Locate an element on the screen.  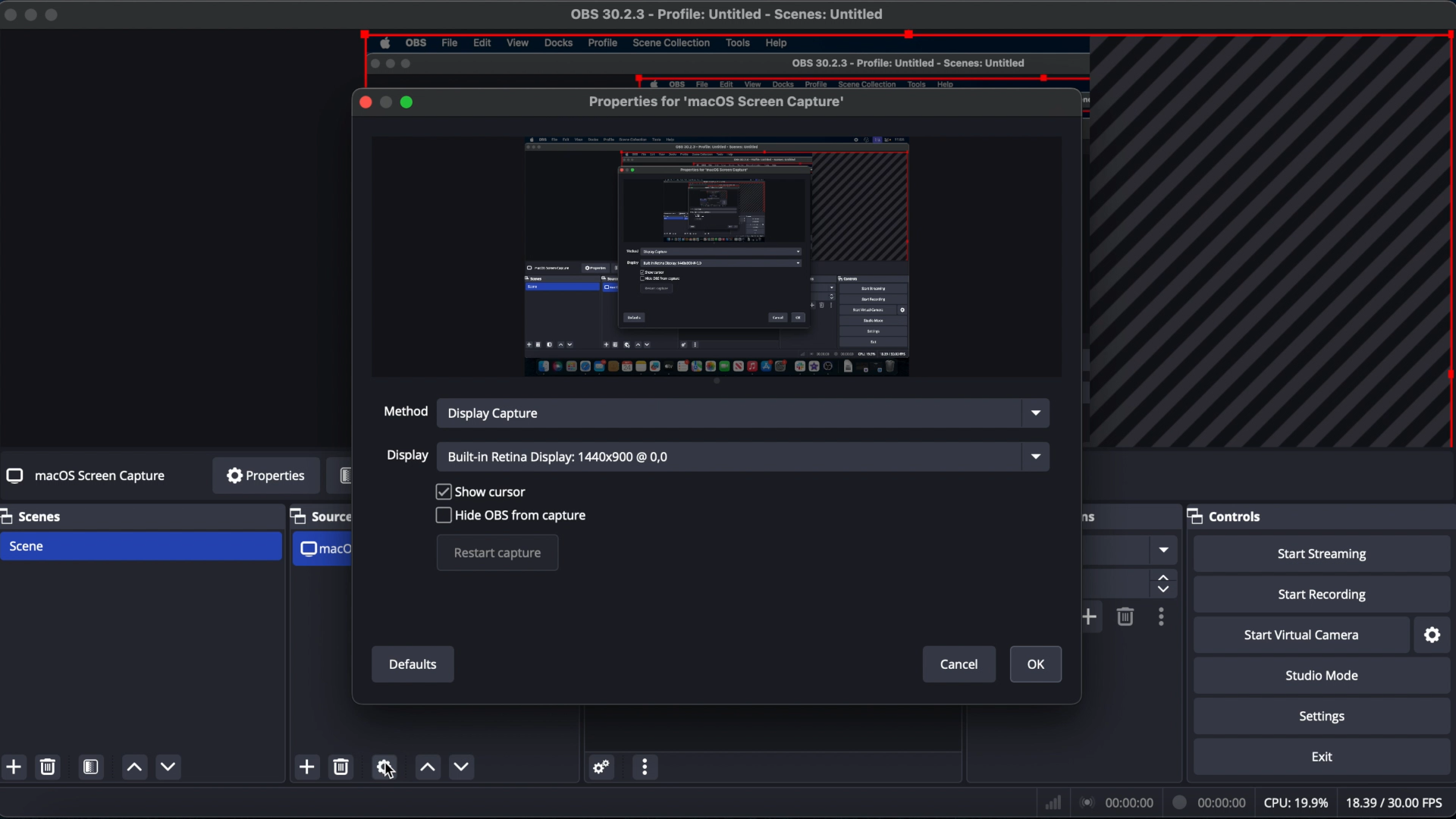
start streaming is located at coordinates (1323, 554).